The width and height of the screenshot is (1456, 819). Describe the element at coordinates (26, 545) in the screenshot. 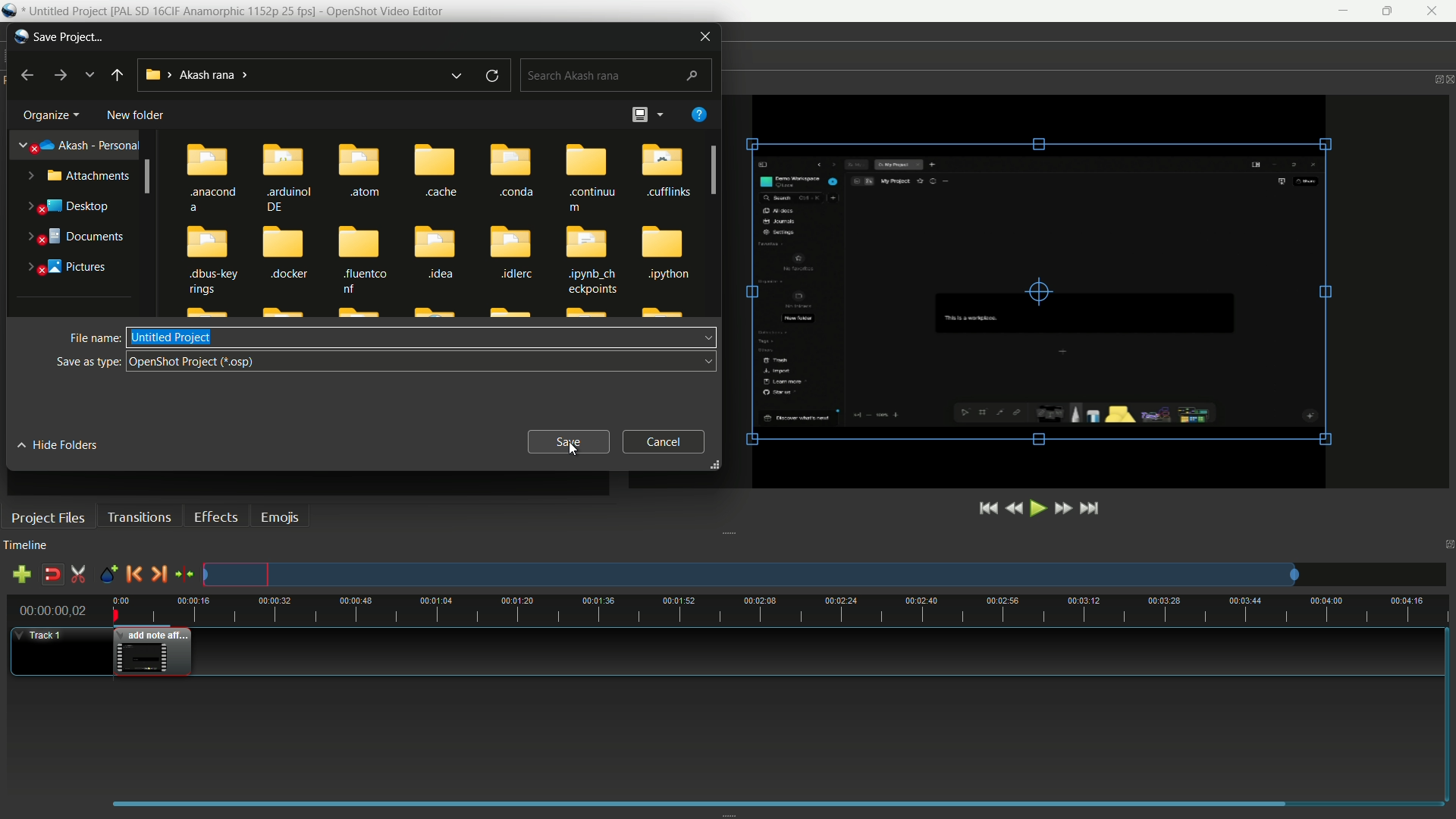

I see `timeline` at that location.